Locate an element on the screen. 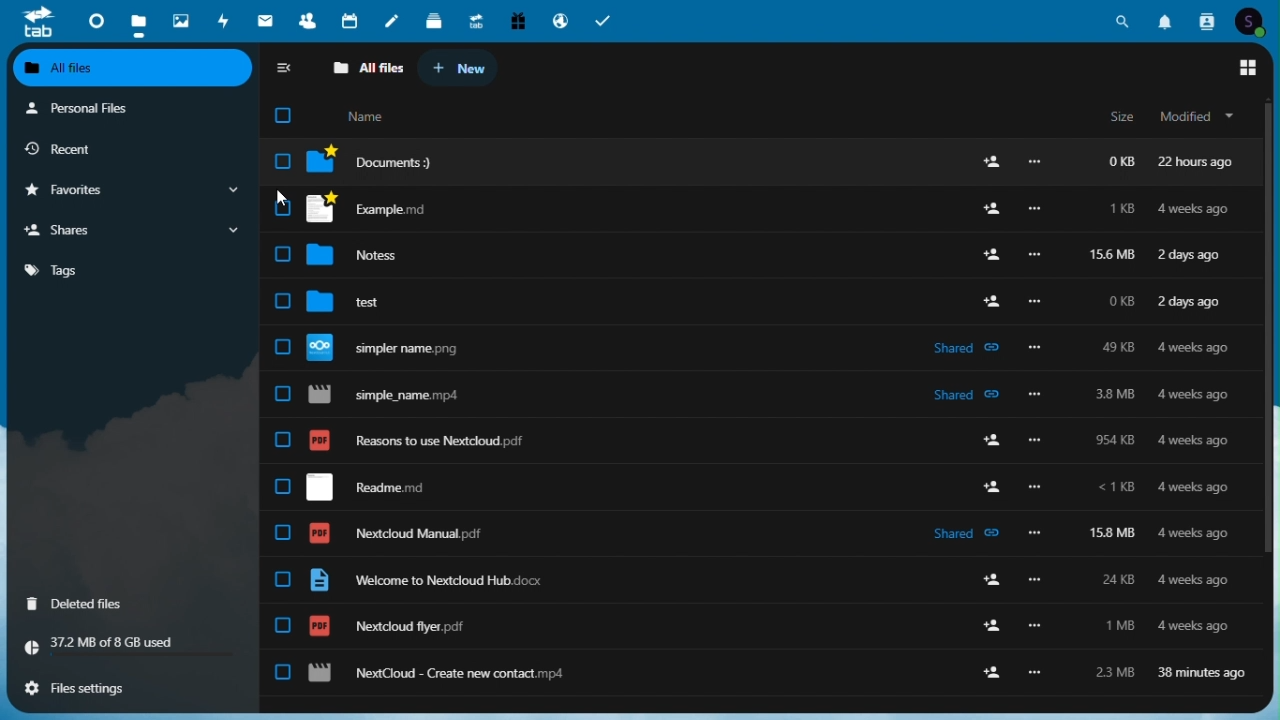 The image size is (1280, 720). Notifications is located at coordinates (1163, 21).